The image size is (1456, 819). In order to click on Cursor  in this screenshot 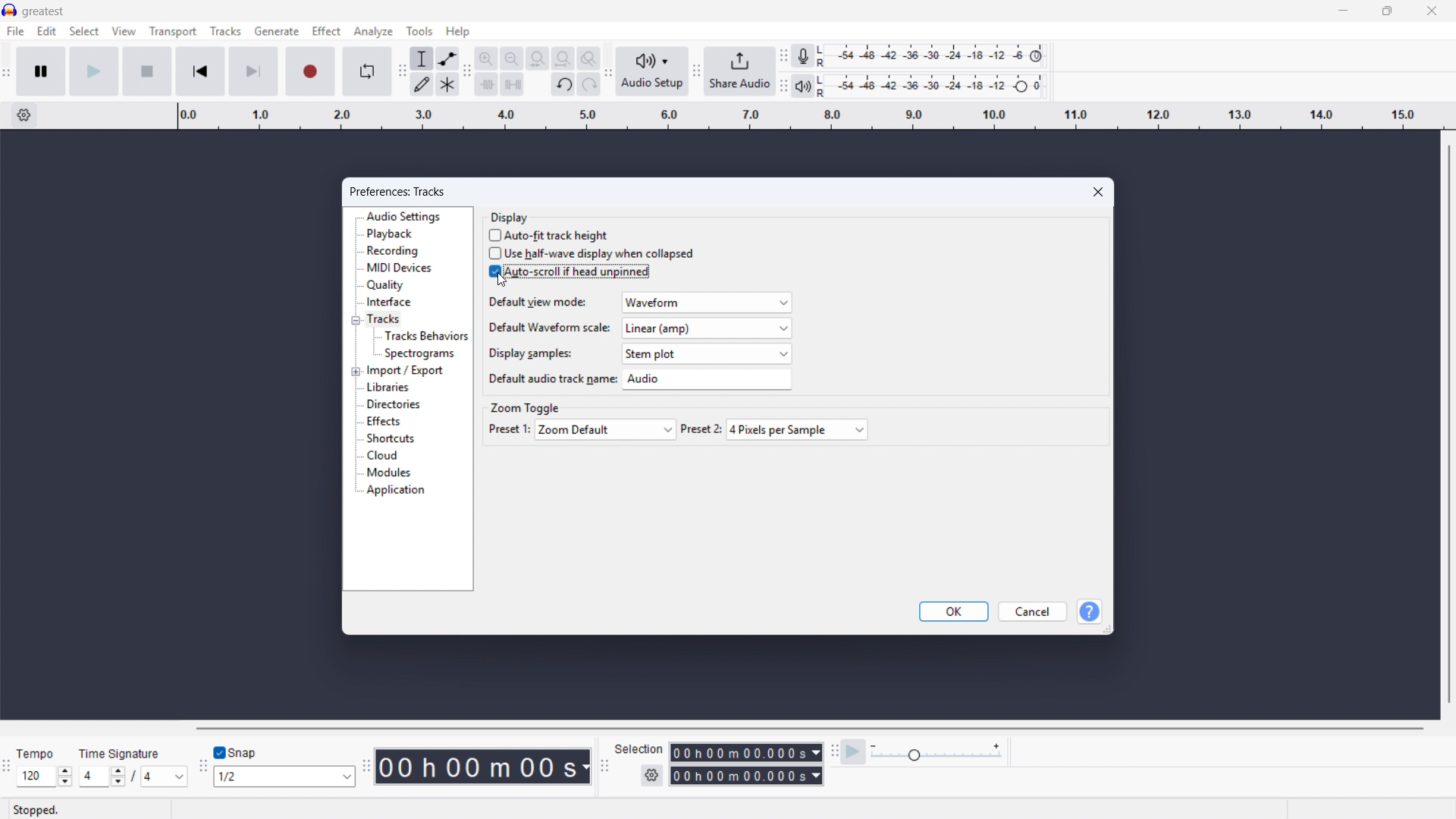, I will do `click(503, 281)`.